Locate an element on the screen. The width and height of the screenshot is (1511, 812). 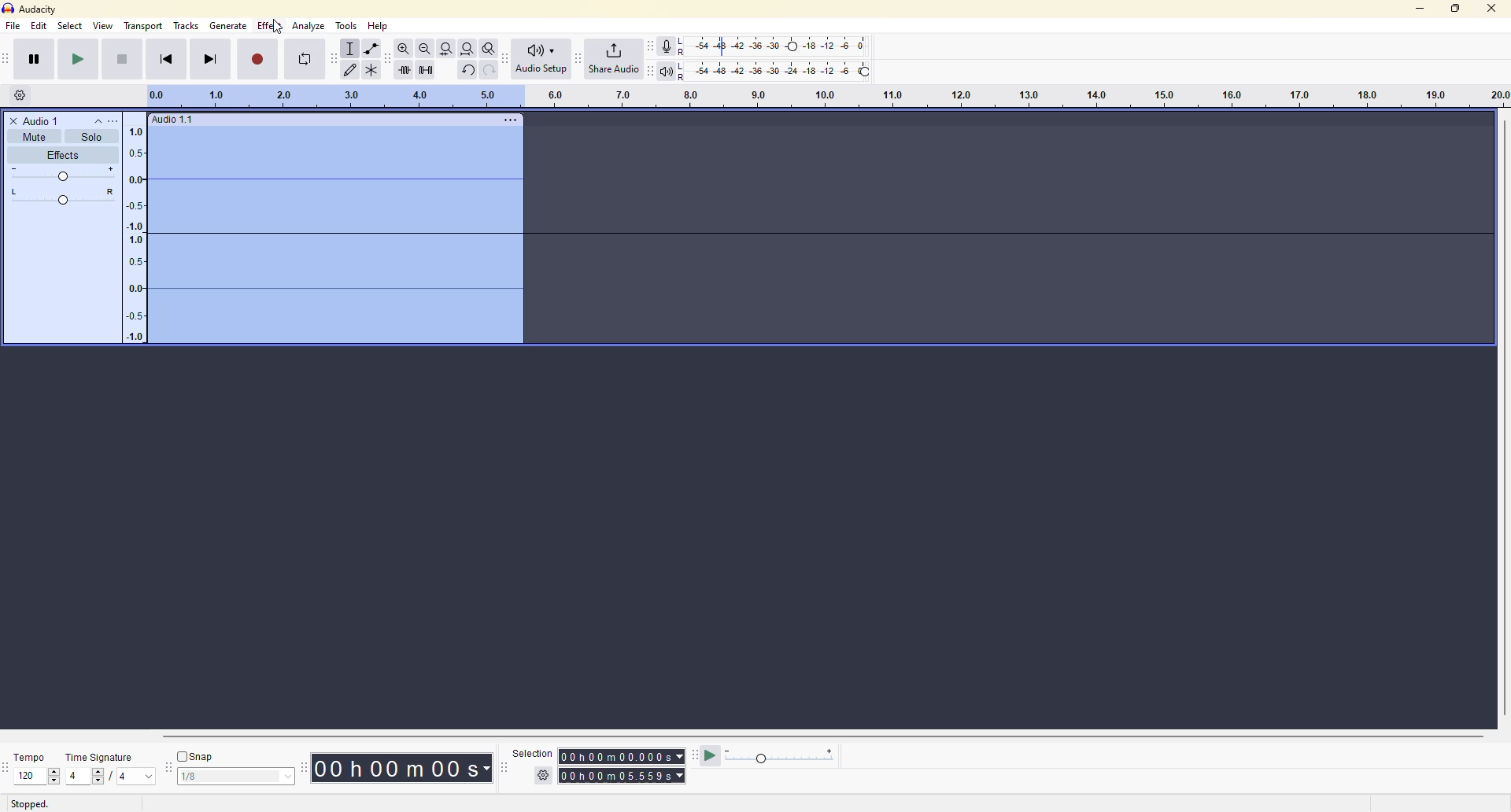
audacity is located at coordinates (29, 9).